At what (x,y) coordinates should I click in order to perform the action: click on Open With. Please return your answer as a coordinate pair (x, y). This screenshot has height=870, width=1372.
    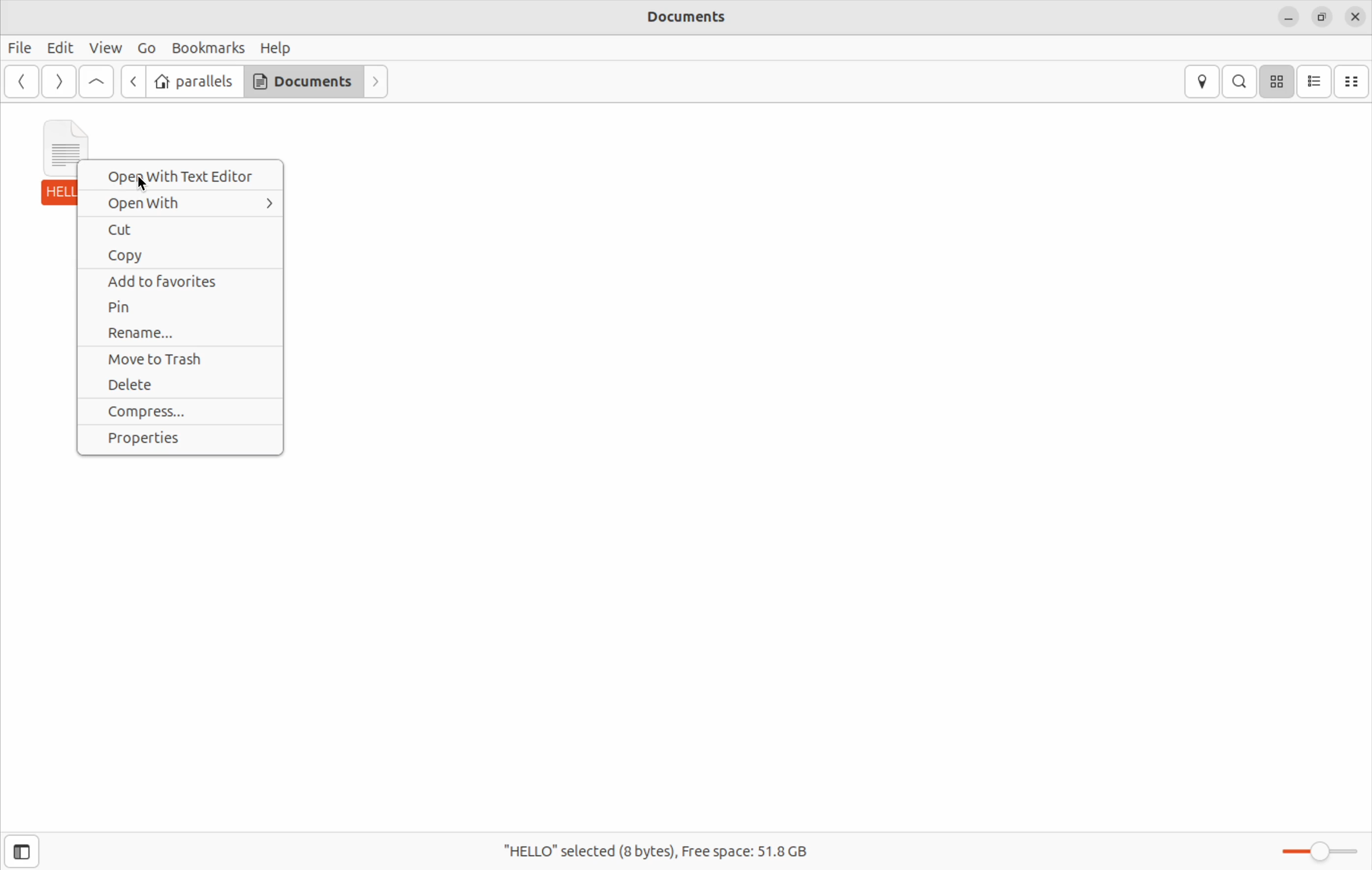
    Looking at the image, I should click on (181, 202).